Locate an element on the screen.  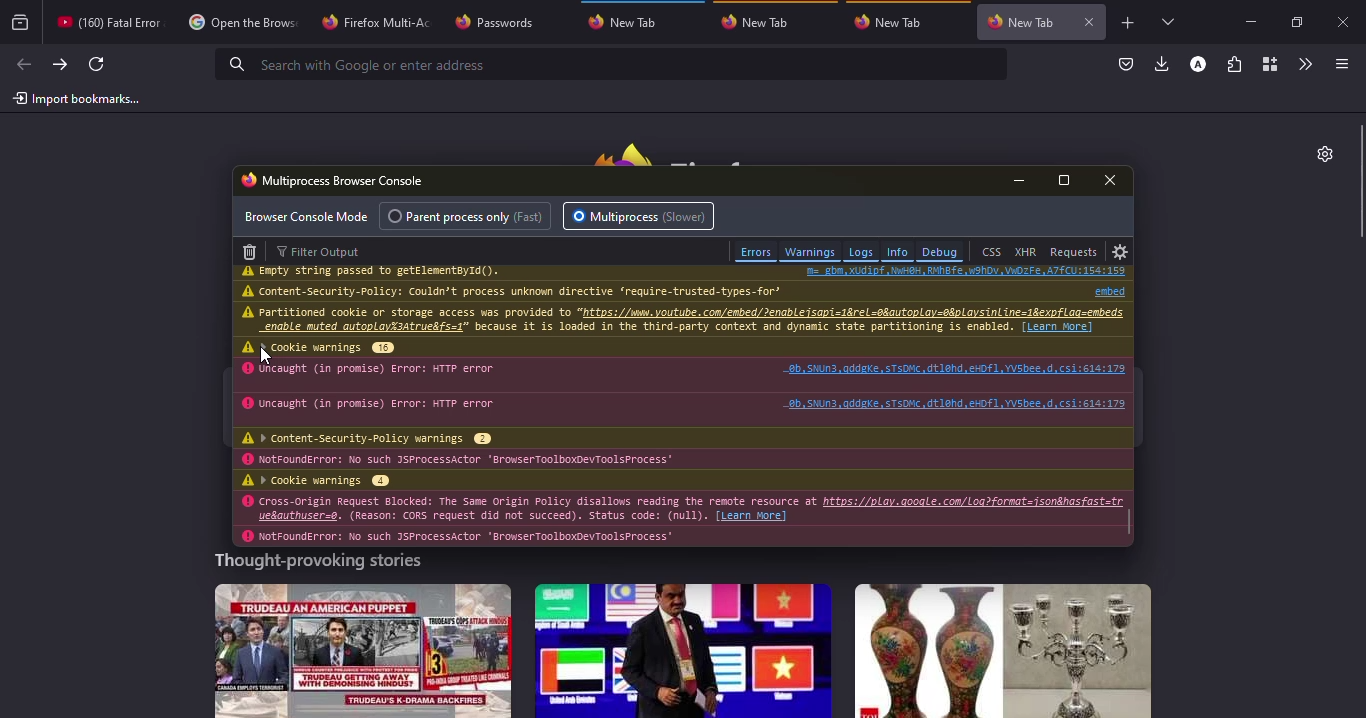
cursor is located at coordinates (266, 356).